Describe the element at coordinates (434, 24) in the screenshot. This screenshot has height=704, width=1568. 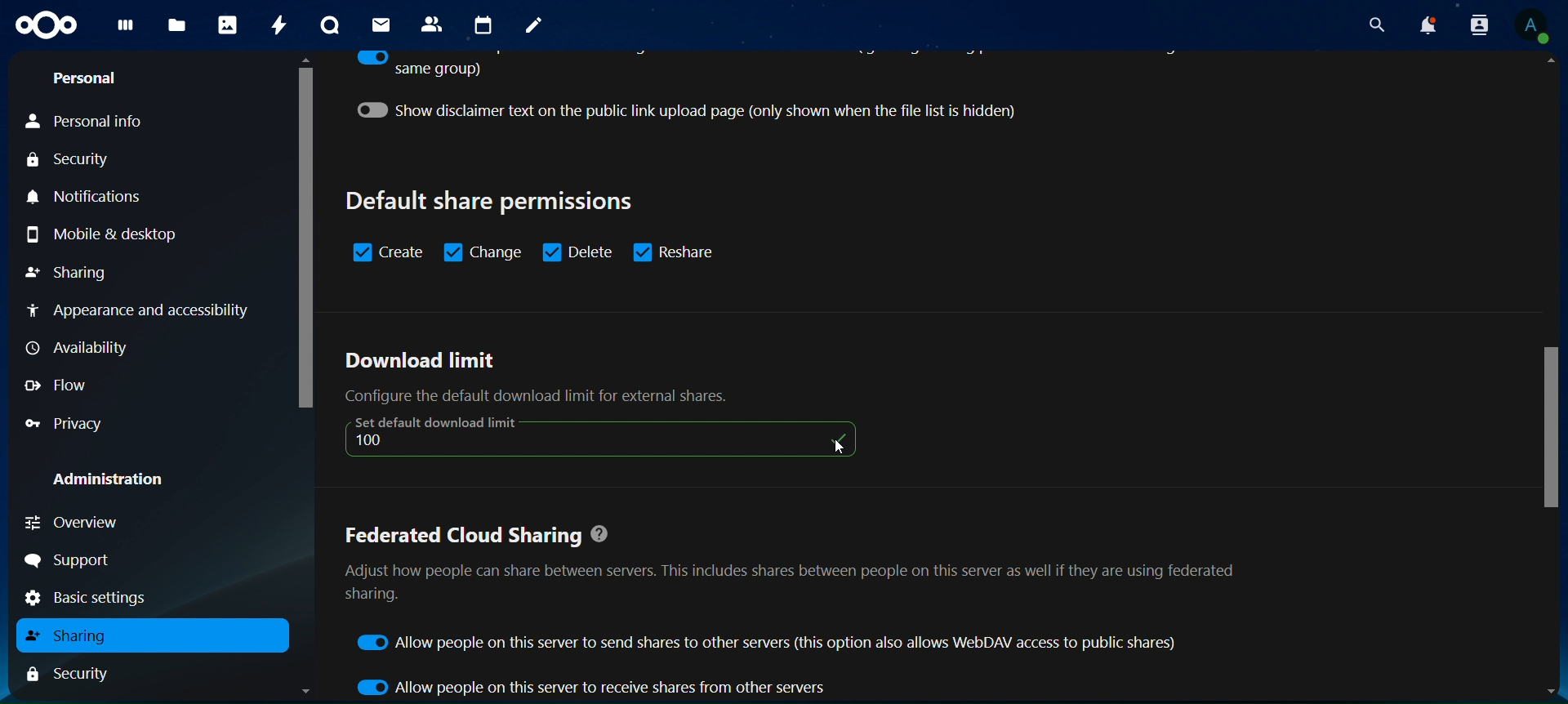
I see `contacts` at that location.